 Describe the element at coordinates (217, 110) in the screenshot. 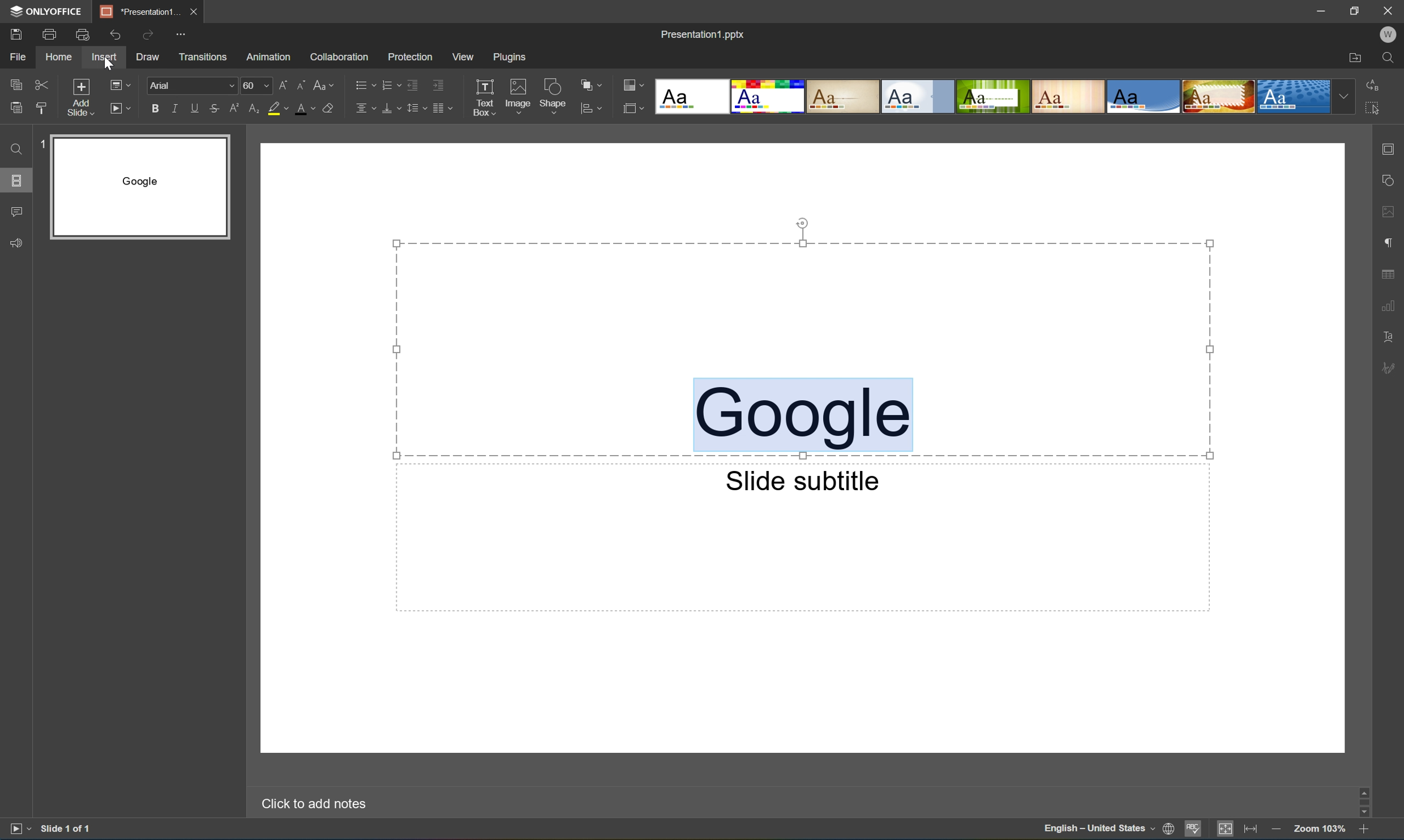

I see `Strikethrough` at that location.